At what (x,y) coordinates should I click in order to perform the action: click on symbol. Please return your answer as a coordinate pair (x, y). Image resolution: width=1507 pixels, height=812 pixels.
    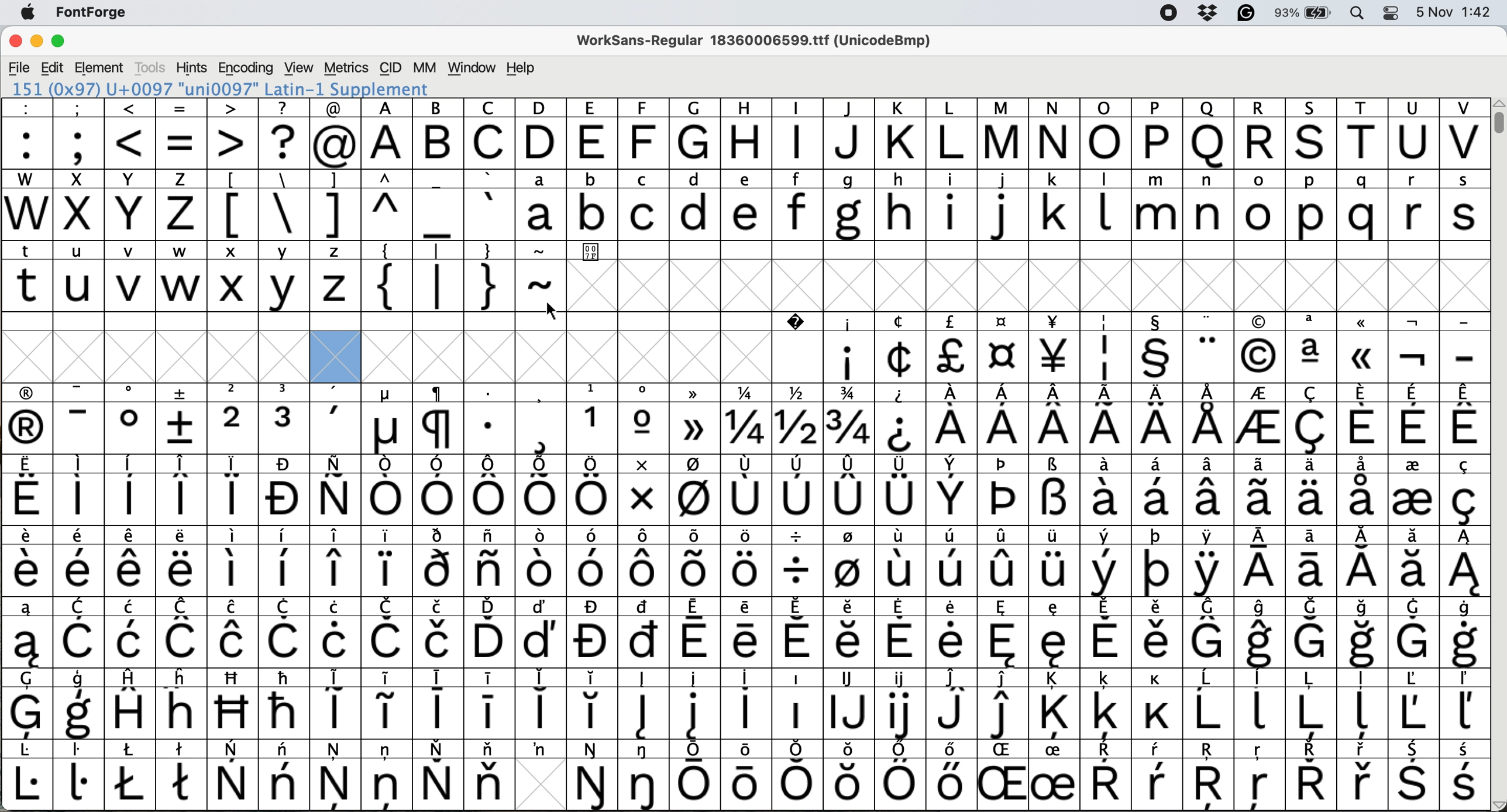
    Looking at the image, I should click on (1365, 634).